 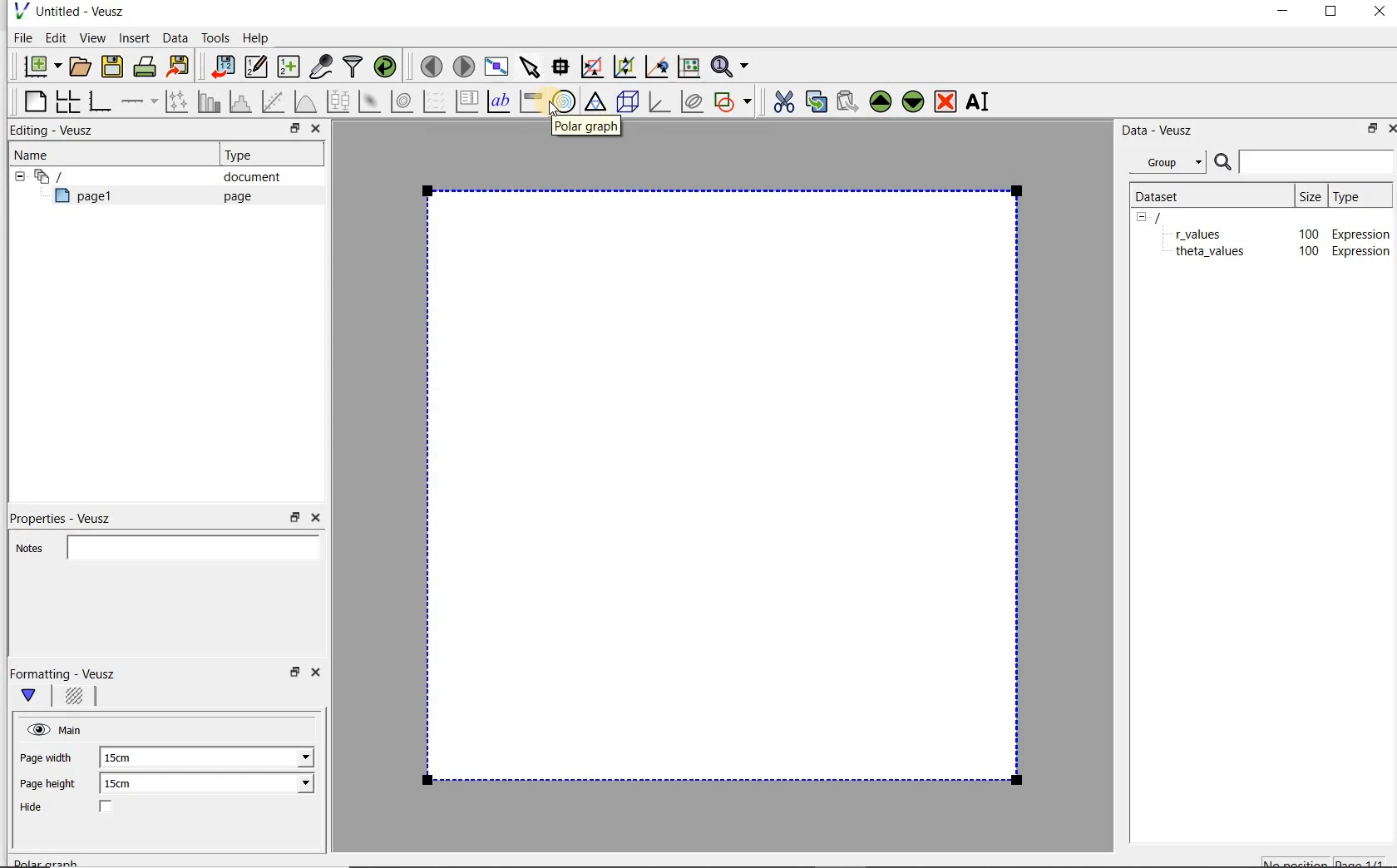 I want to click on create new datasets using ranges, parametrically or as functions of existing datasets, so click(x=289, y=67).